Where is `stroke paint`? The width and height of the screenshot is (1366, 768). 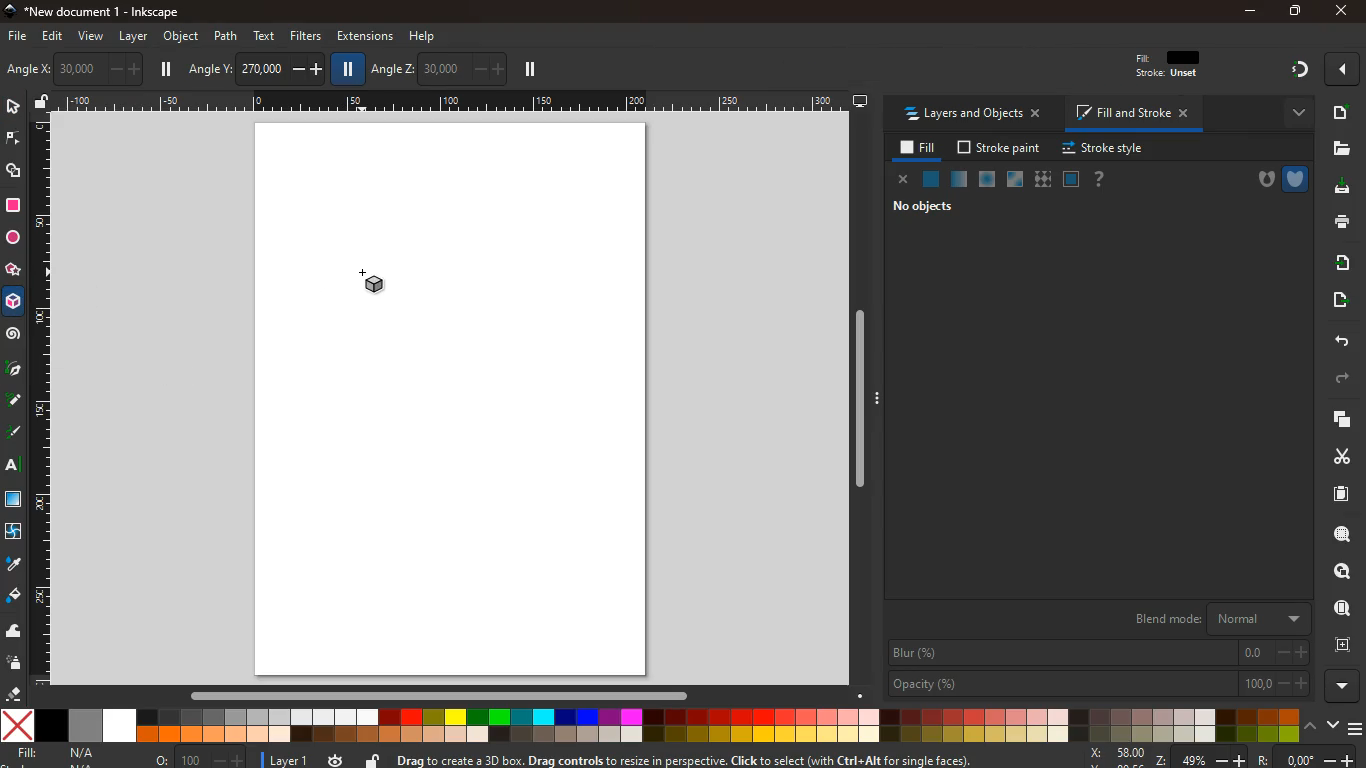
stroke paint is located at coordinates (995, 148).